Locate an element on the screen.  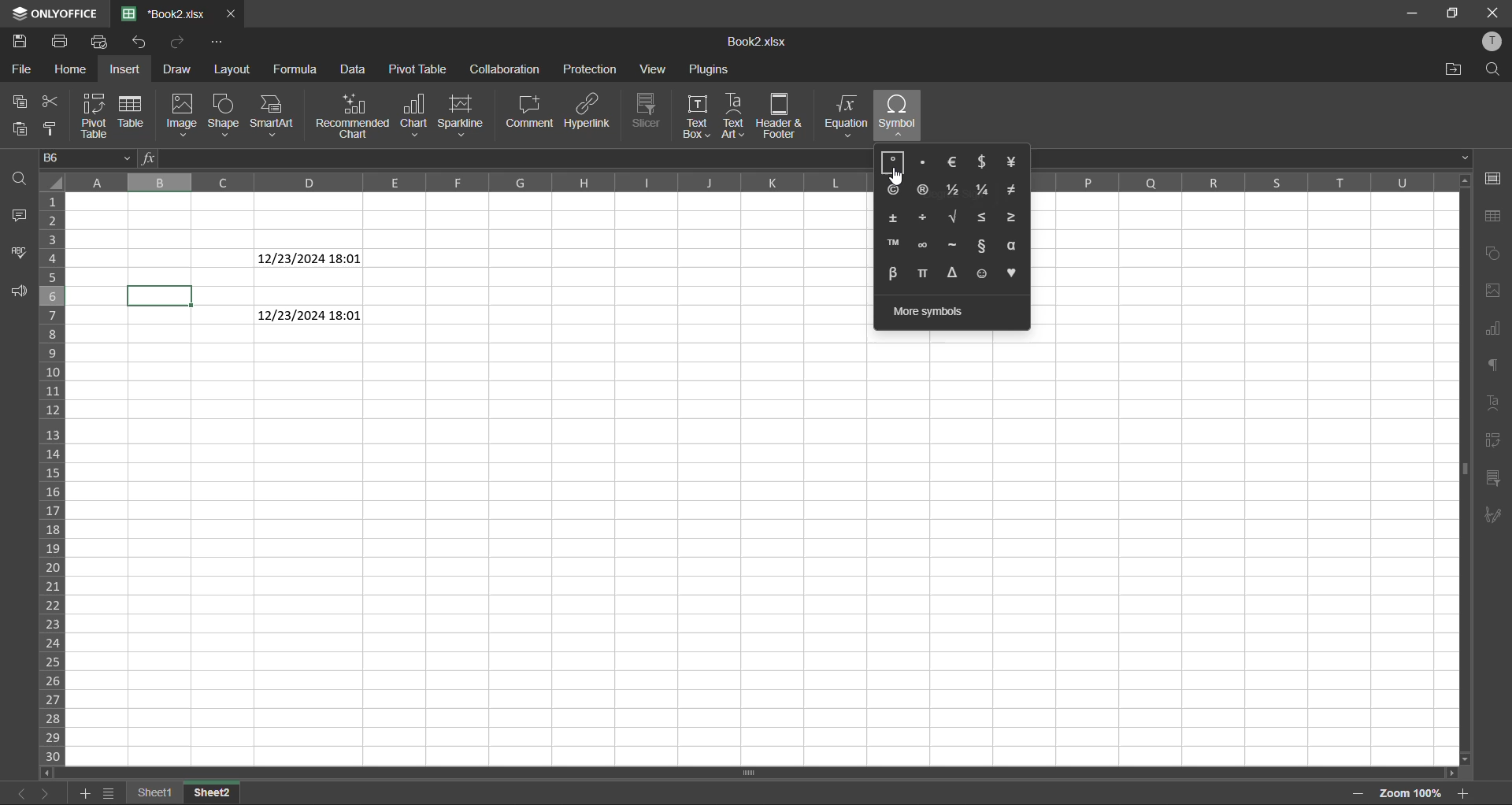
paste is located at coordinates (22, 129).